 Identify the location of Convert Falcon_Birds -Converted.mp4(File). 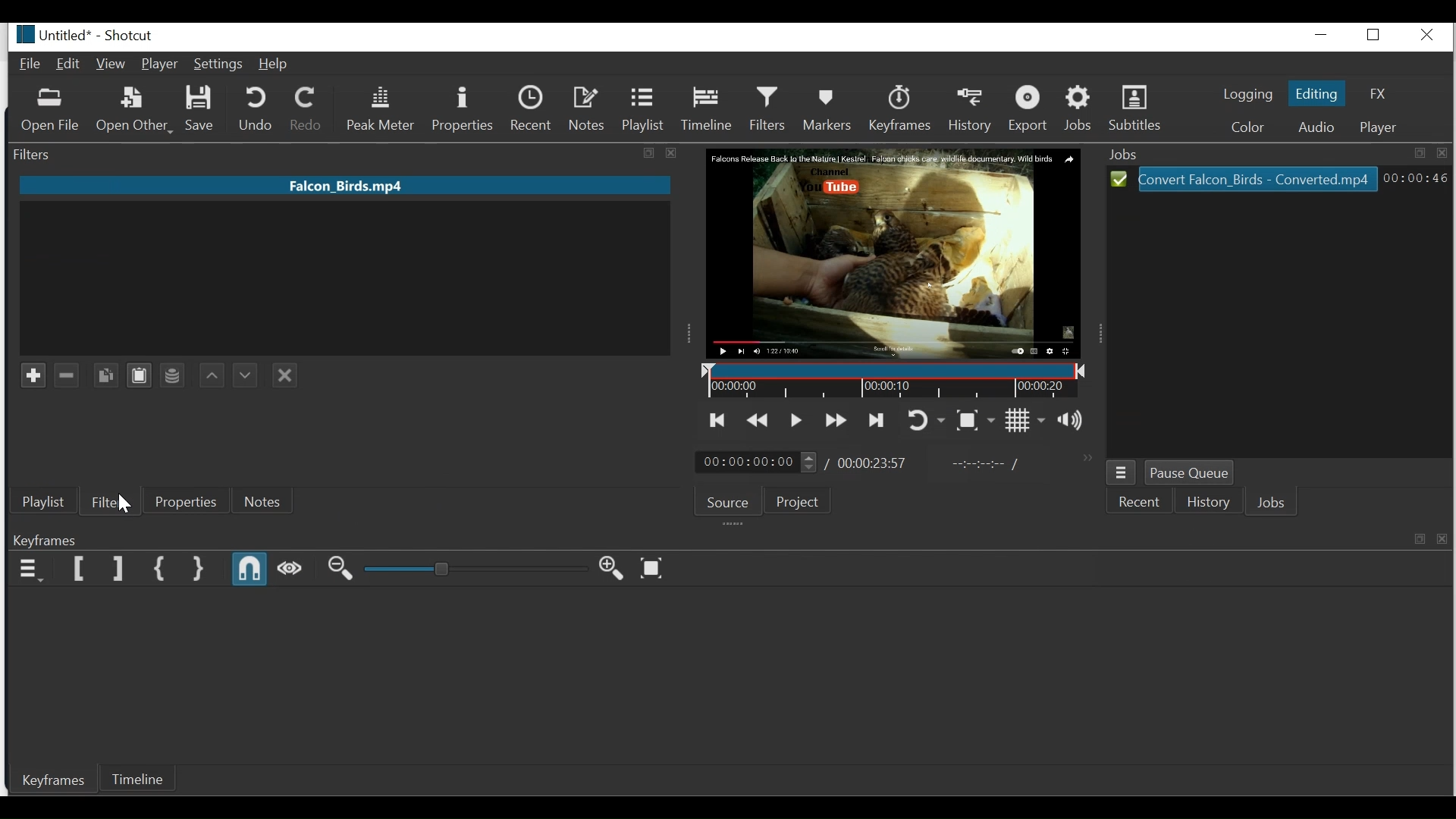
(1244, 179).